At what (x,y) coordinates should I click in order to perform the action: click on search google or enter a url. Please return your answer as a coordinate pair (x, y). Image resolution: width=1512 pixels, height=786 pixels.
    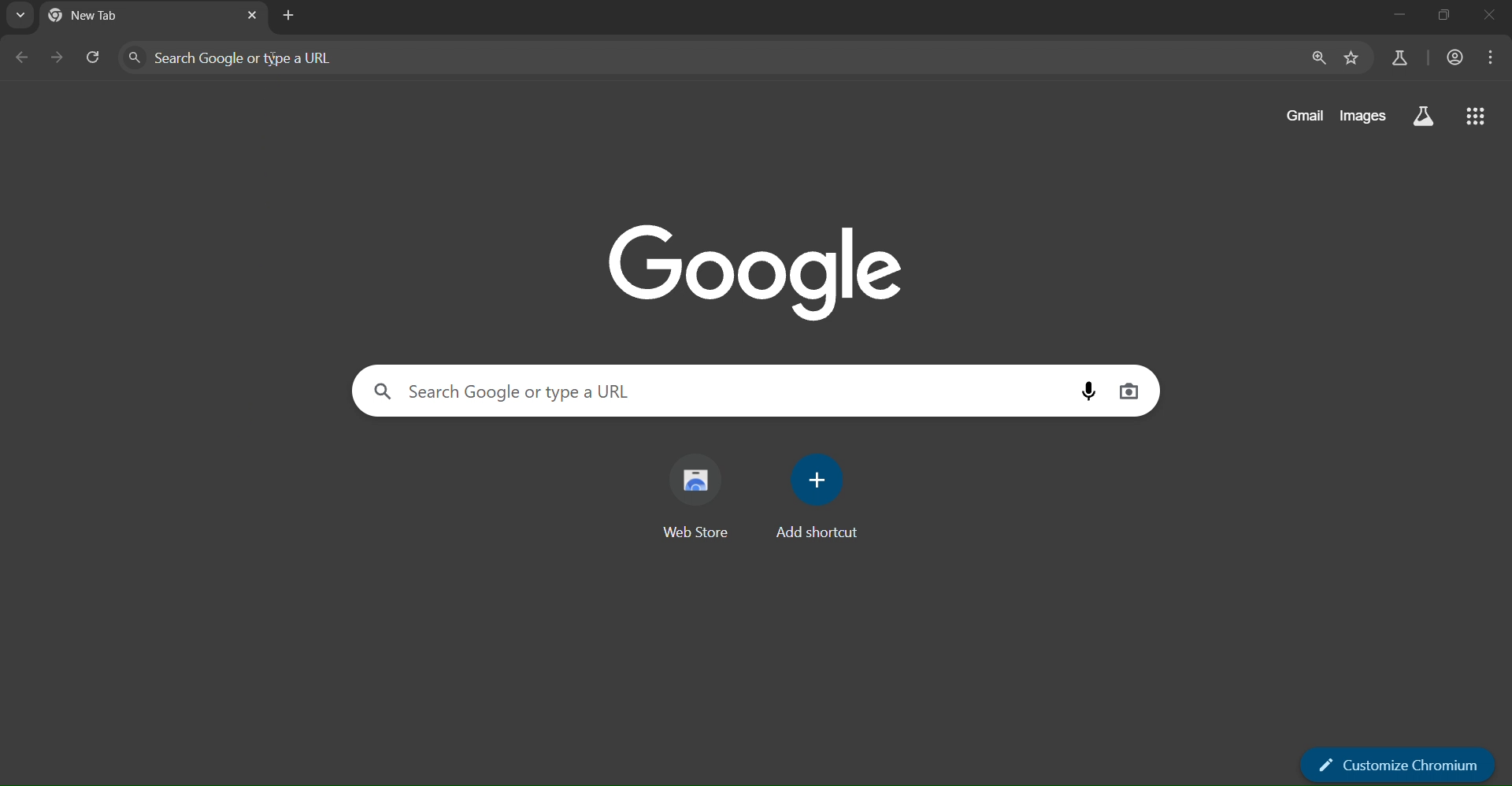
    Looking at the image, I should click on (254, 56).